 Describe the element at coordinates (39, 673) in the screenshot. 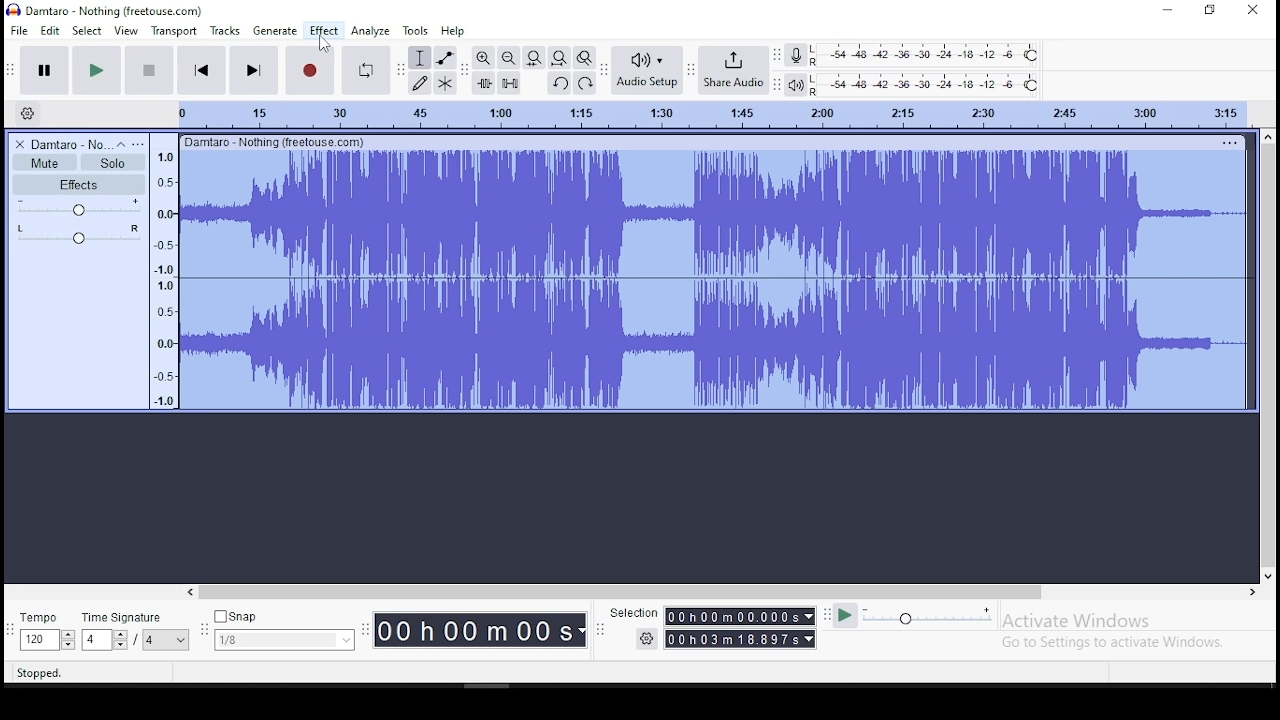

I see `stopped` at that location.